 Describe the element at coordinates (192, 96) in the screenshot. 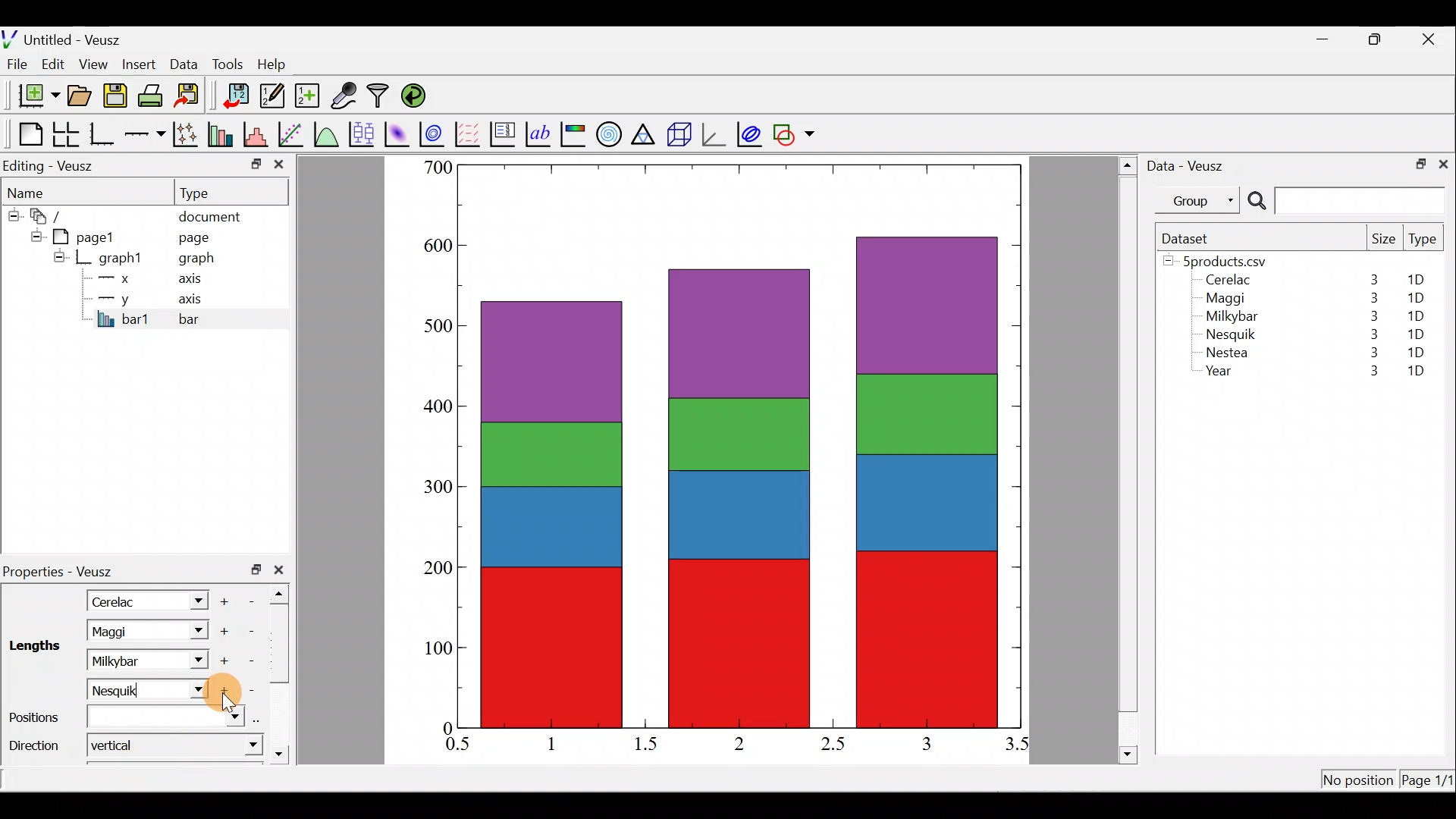

I see `Export to graphics format` at that location.